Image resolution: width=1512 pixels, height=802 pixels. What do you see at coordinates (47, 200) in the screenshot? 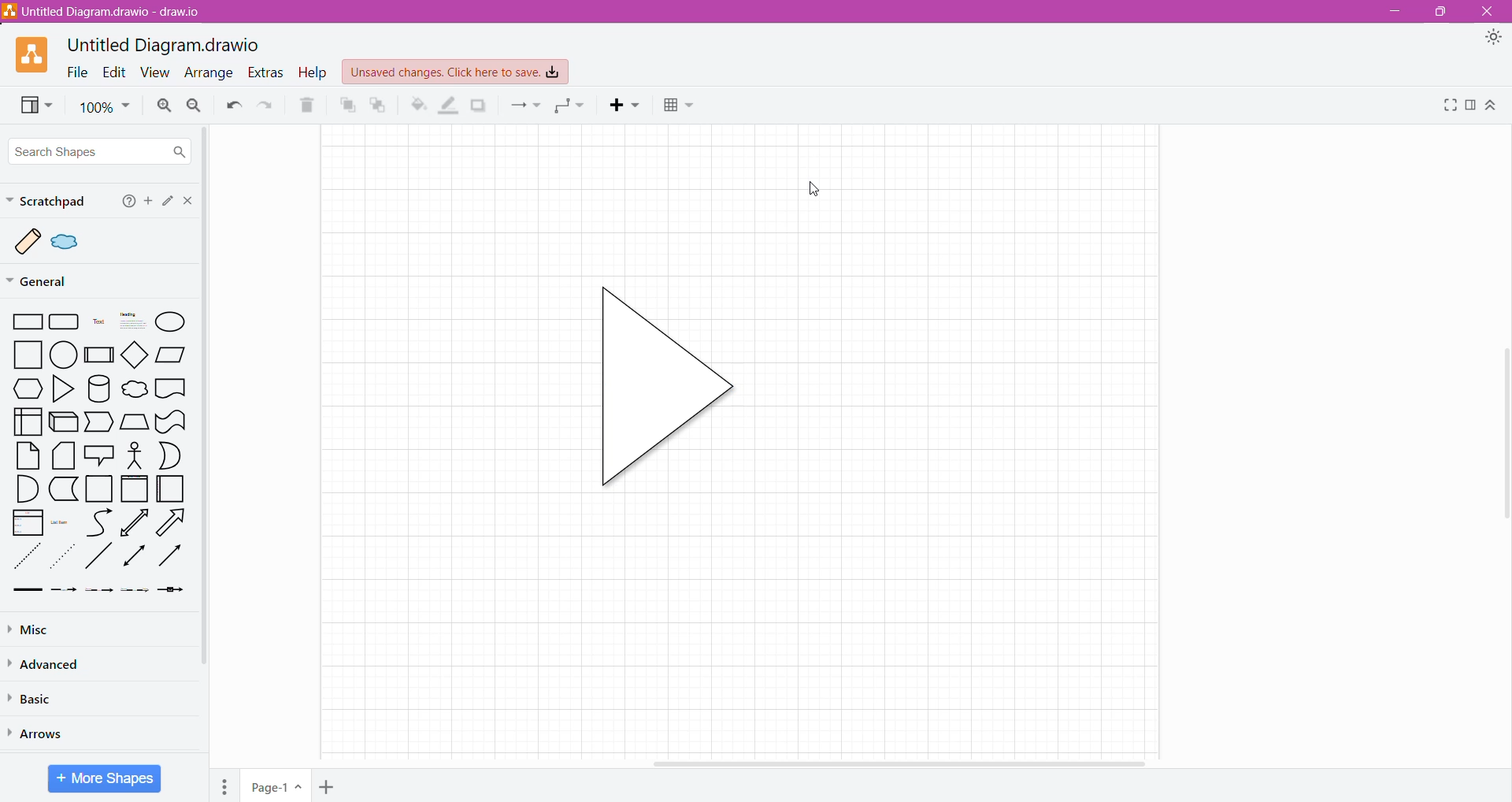
I see `Scratchpad` at bounding box center [47, 200].